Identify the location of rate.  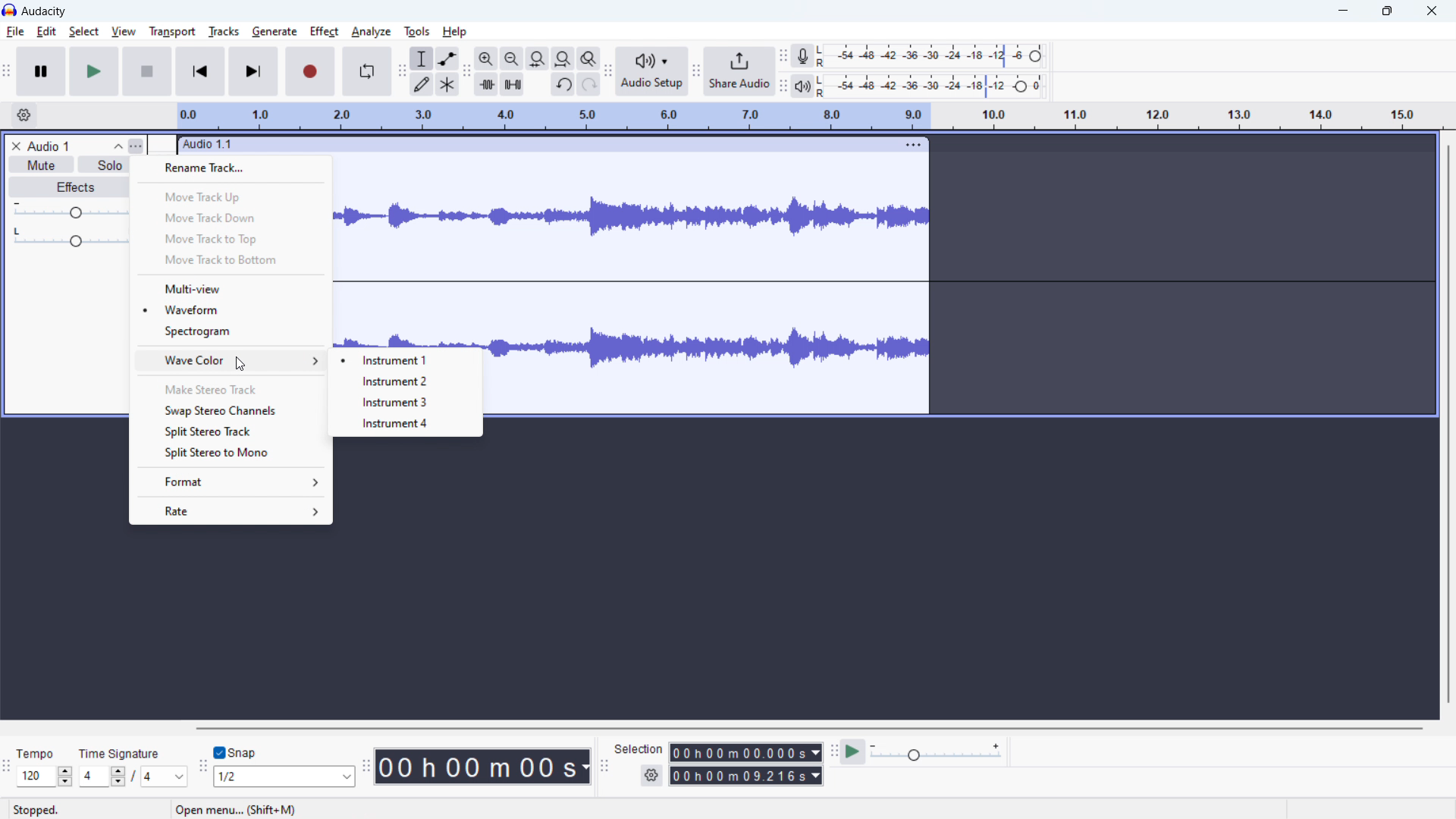
(229, 512).